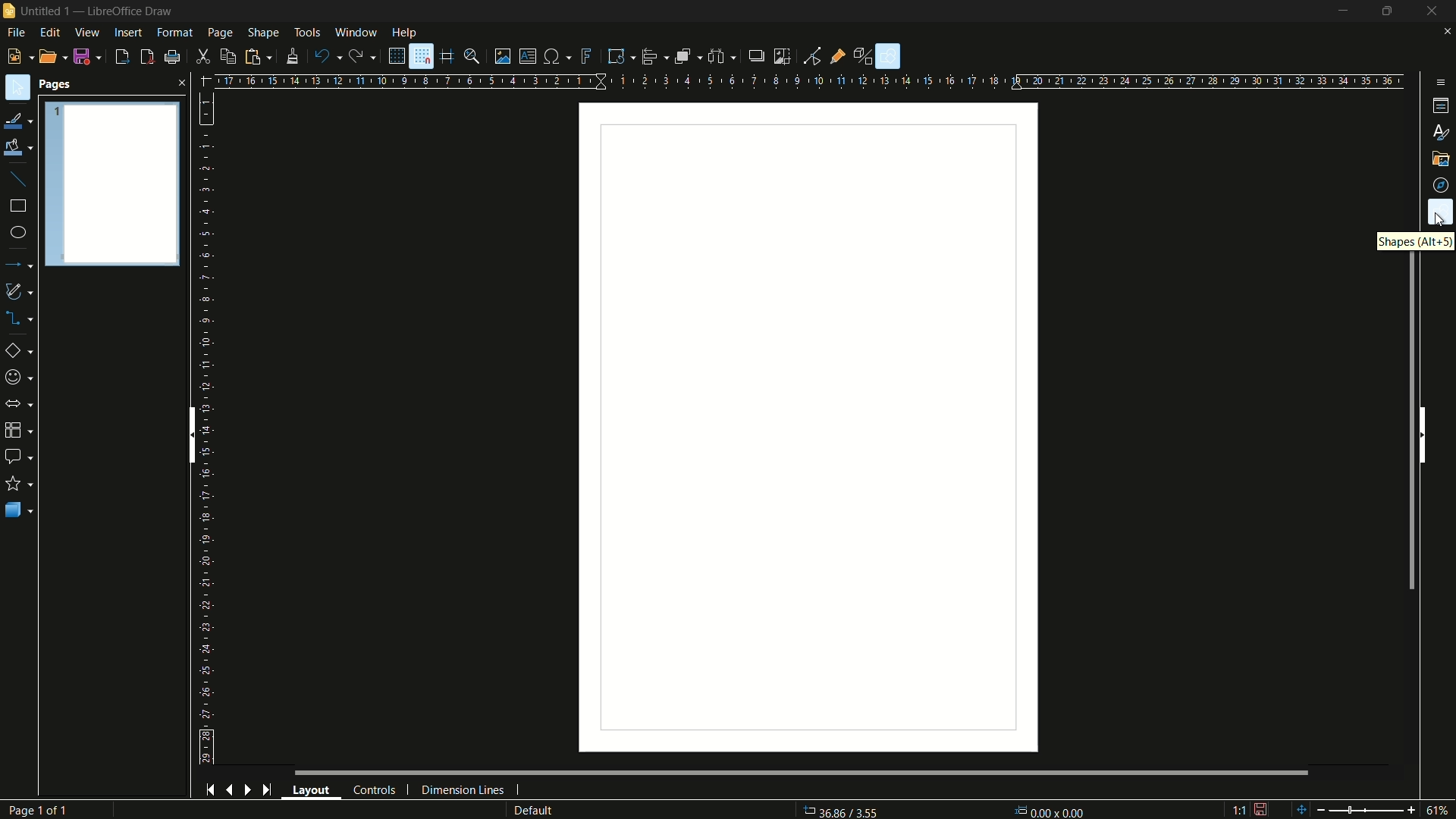 The height and width of the screenshot is (819, 1456). What do you see at coordinates (174, 33) in the screenshot?
I see `format menu` at bounding box center [174, 33].